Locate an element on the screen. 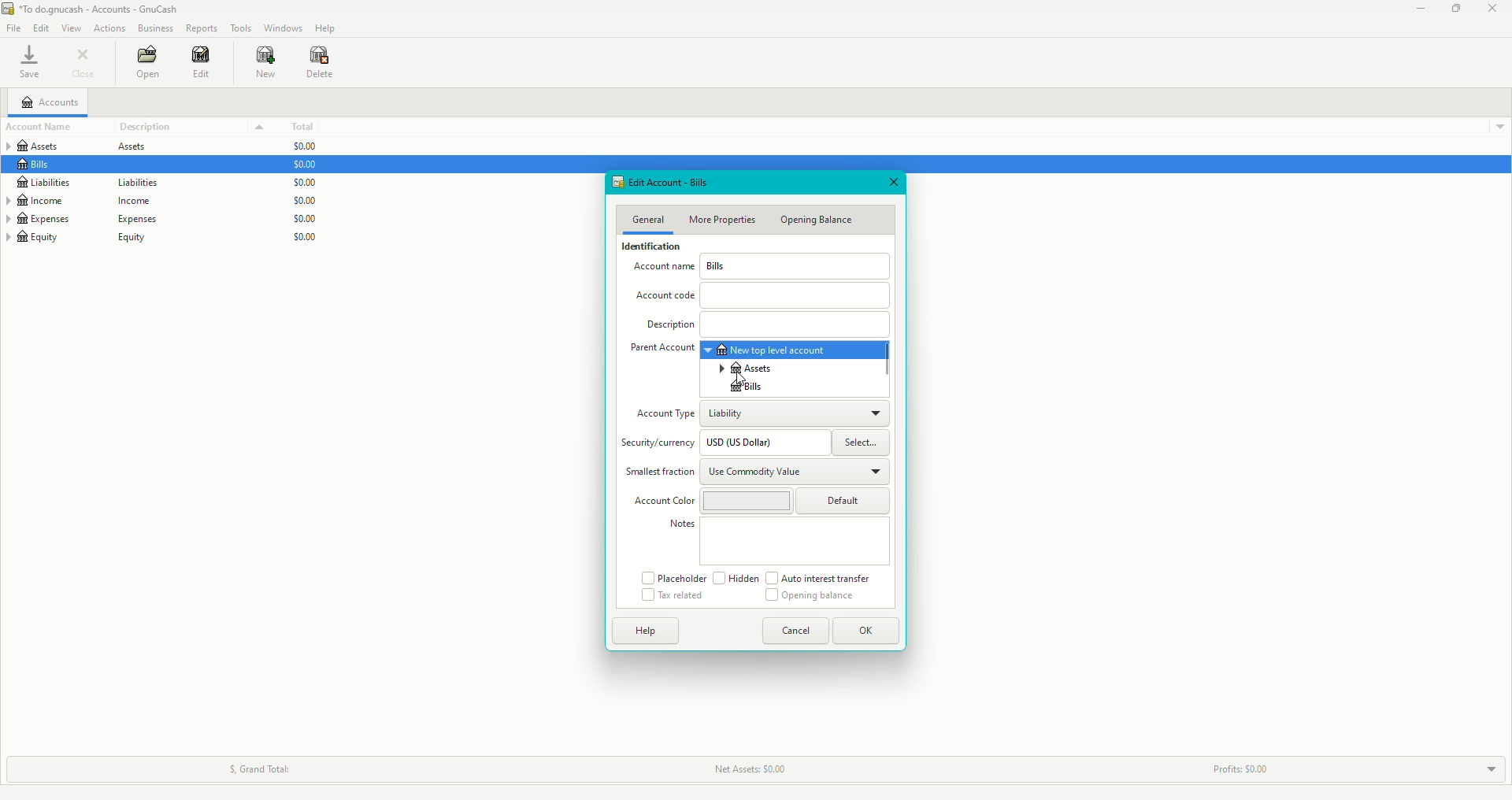 The image size is (1512, 800). Notes is located at coordinates (680, 527).